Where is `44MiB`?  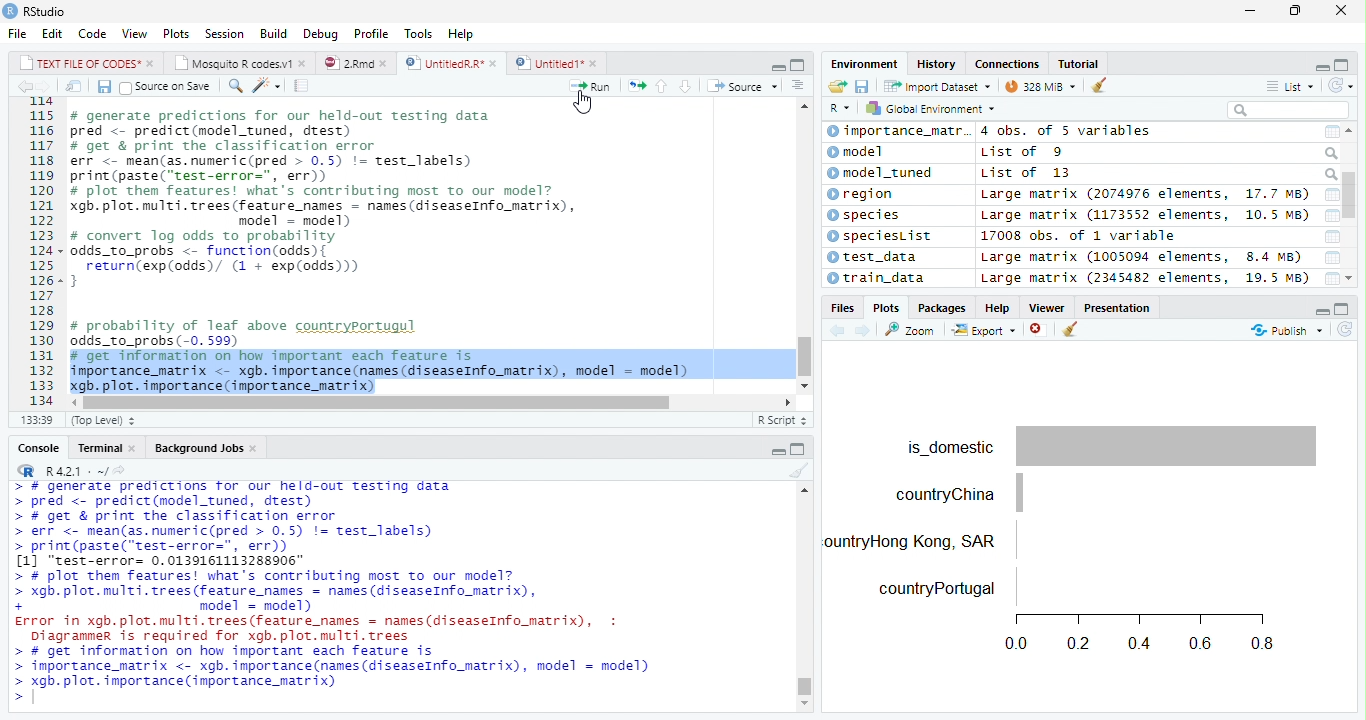
44MiB is located at coordinates (1037, 84).